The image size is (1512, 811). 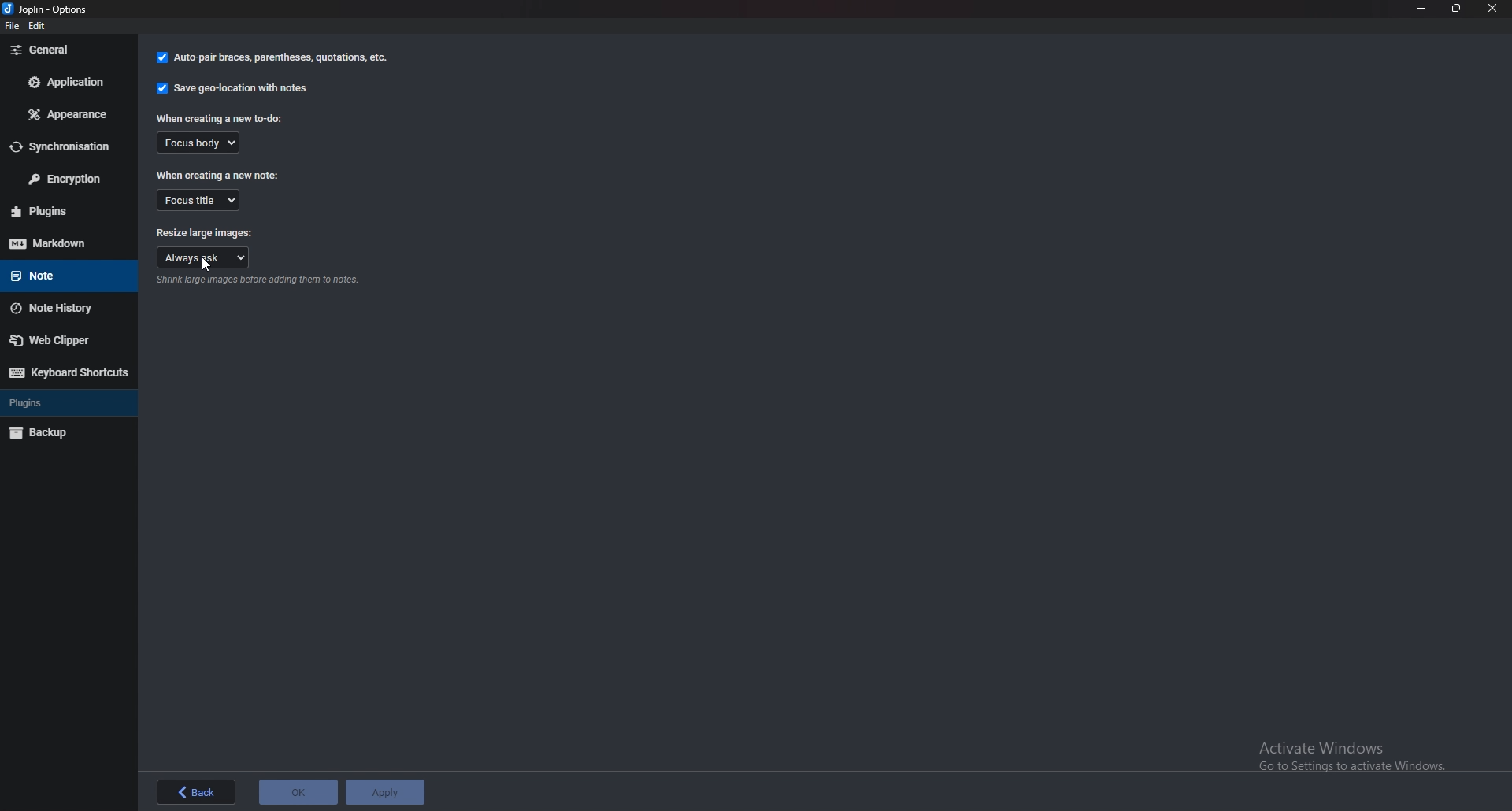 What do you see at coordinates (53, 9) in the screenshot?
I see `options` at bounding box center [53, 9].